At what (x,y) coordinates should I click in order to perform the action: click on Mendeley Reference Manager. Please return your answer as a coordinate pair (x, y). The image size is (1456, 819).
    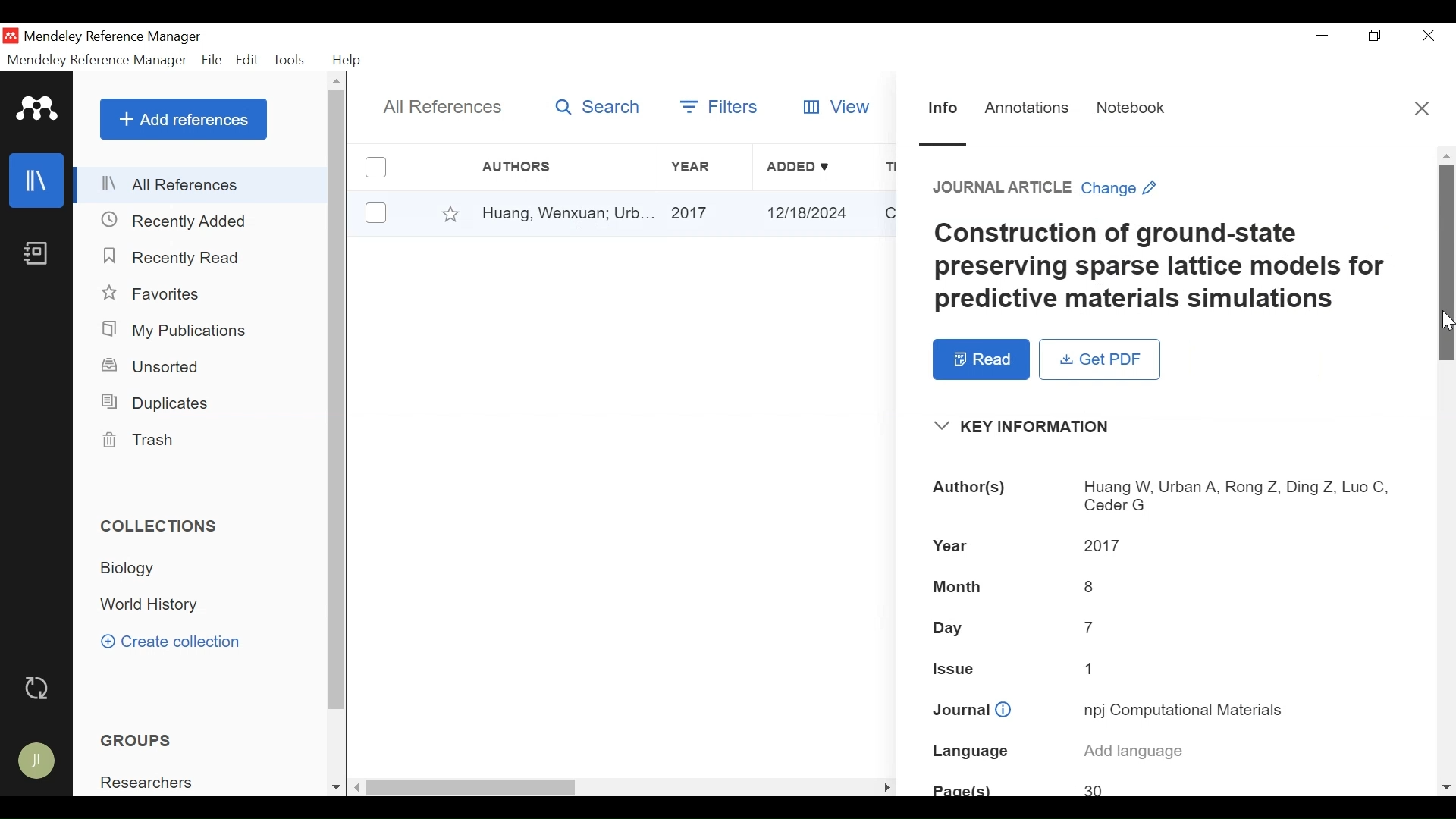
    Looking at the image, I should click on (97, 61).